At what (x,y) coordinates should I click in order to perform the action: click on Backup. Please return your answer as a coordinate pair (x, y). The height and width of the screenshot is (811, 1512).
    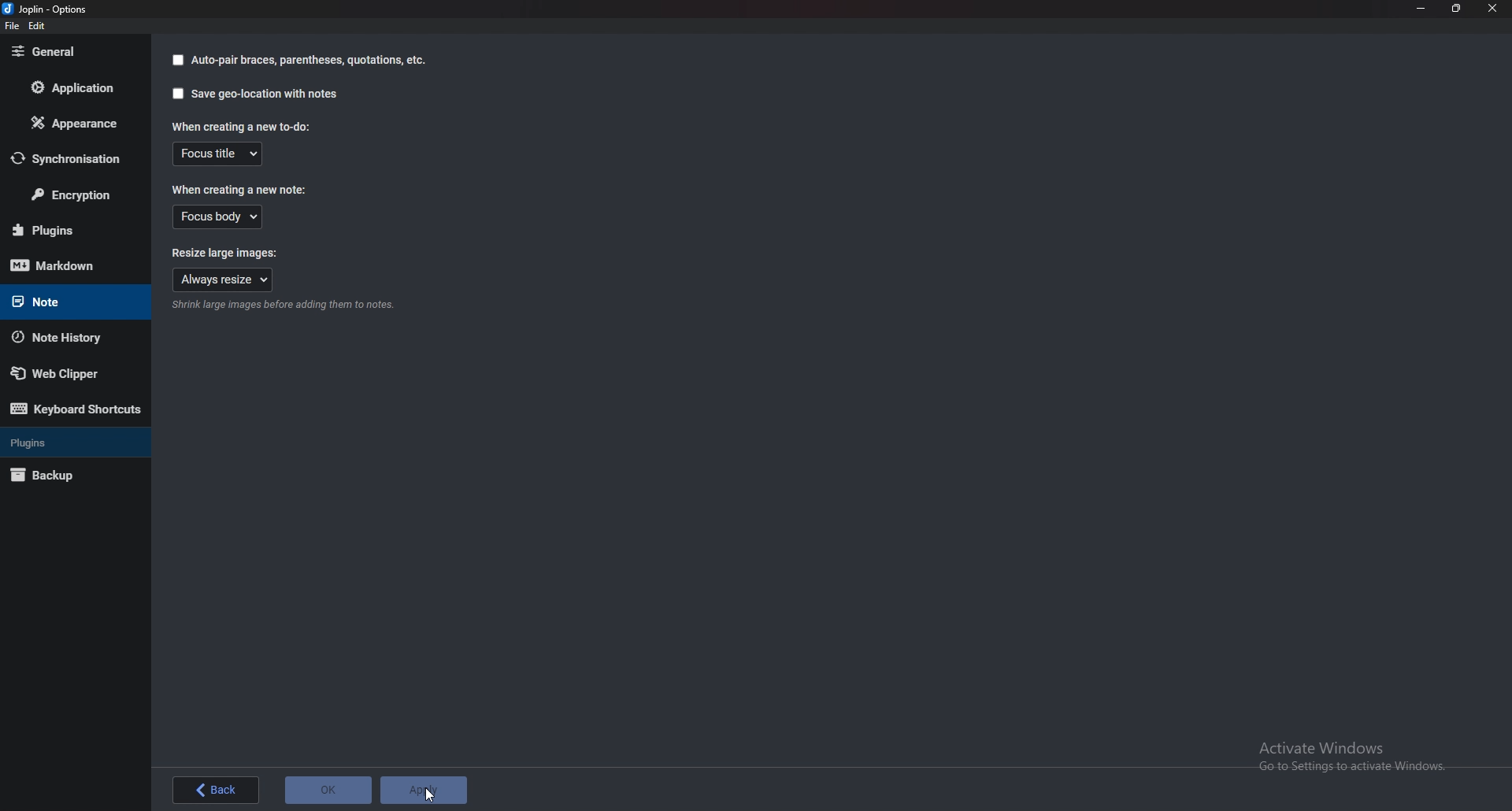
    Looking at the image, I should click on (65, 476).